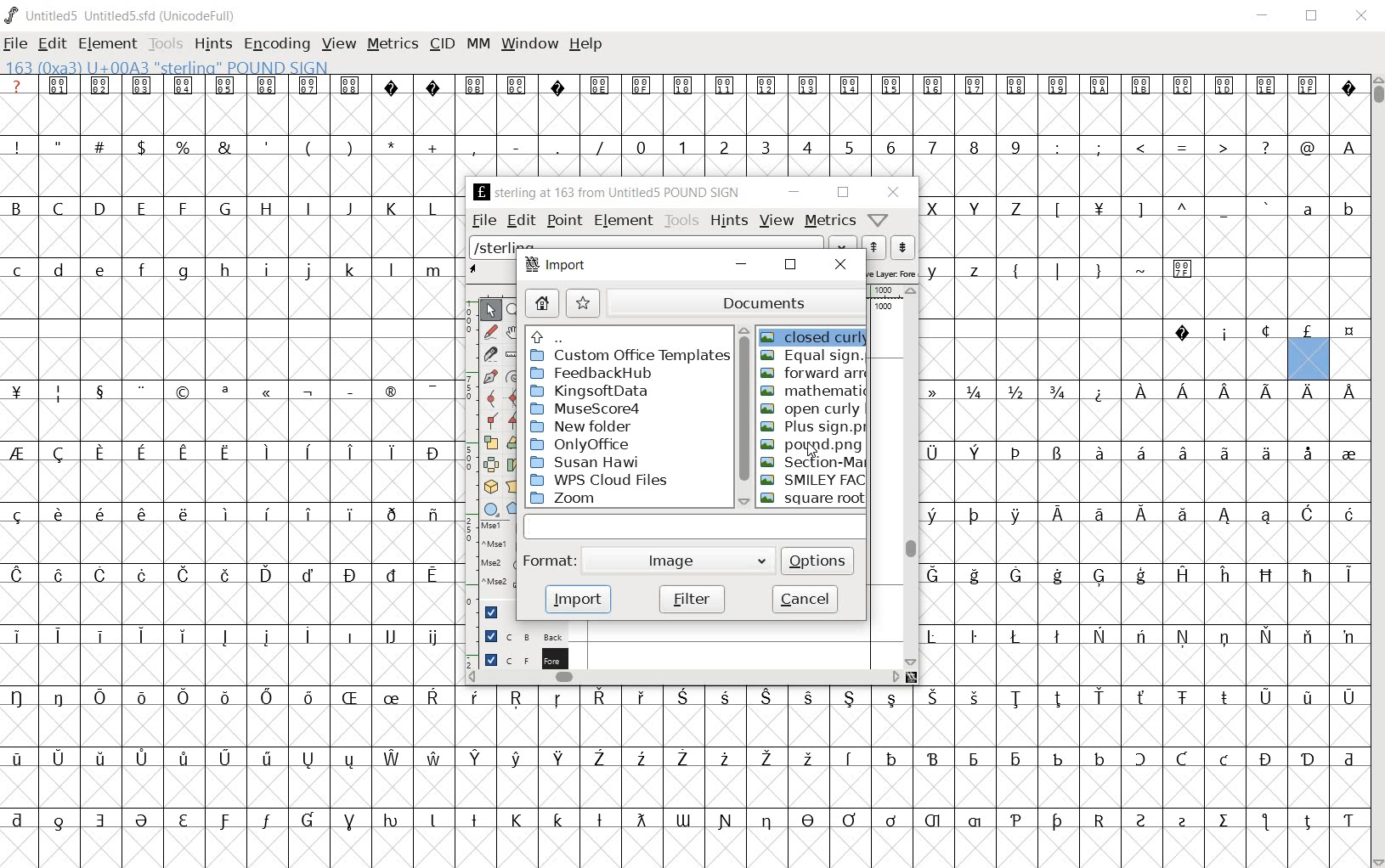 This screenshot has height=868, width=1385. I want to click on import, so click(562, 265).